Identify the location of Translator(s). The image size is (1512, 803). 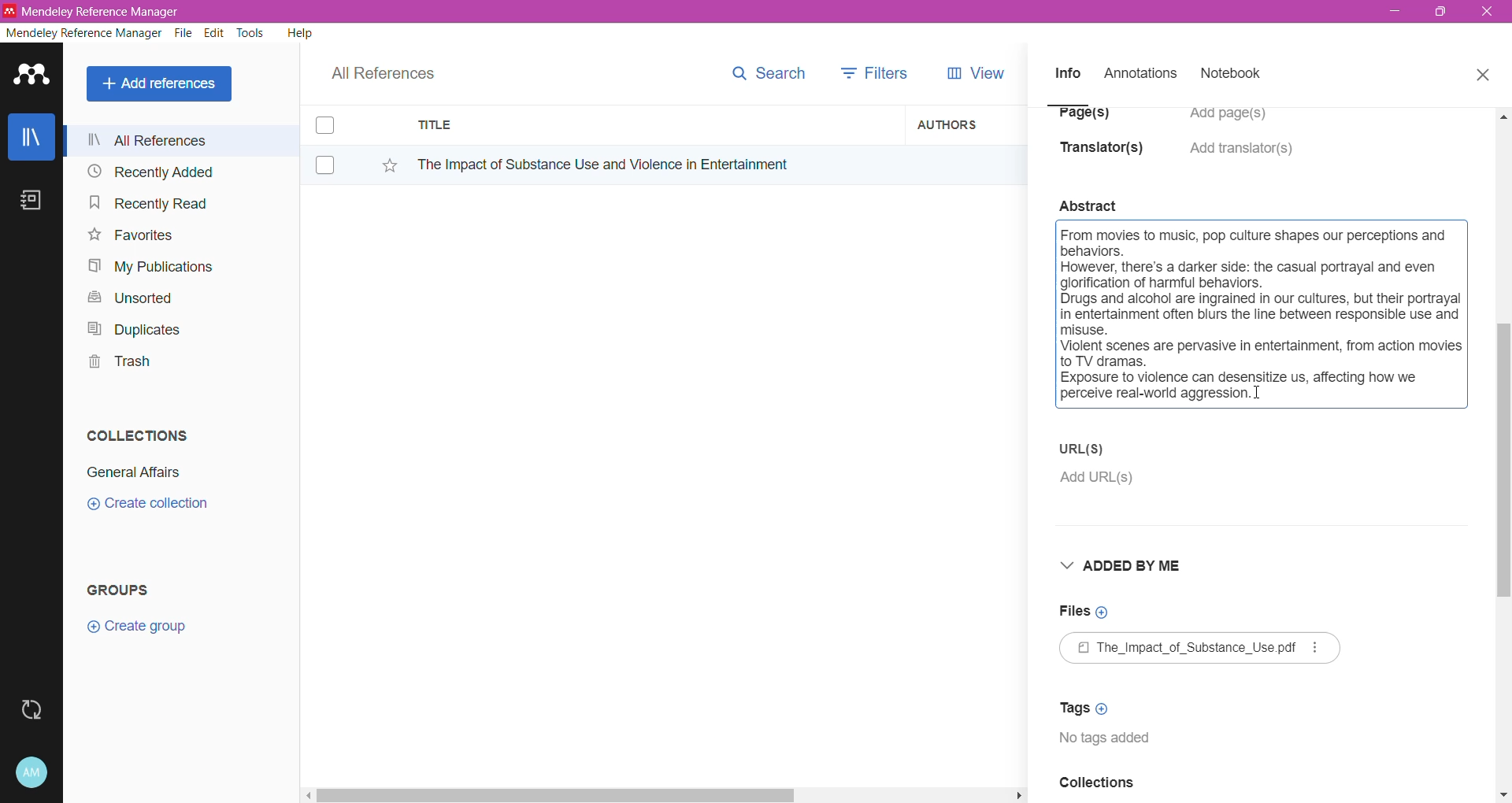
(1106, 155).